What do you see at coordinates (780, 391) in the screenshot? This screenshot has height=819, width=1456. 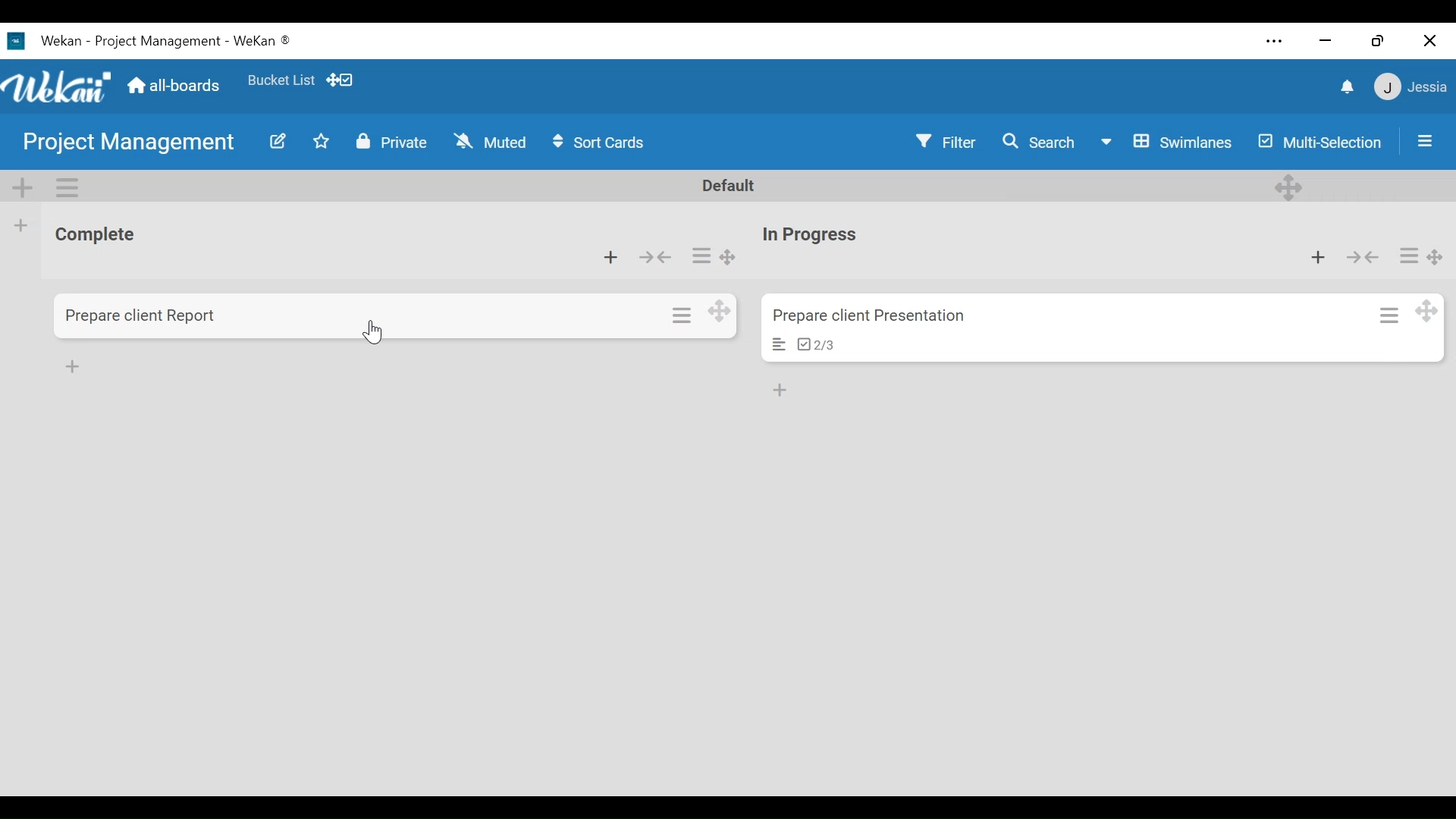 I see `Add card at the bottom of the list` at bounding box center [780, 391].